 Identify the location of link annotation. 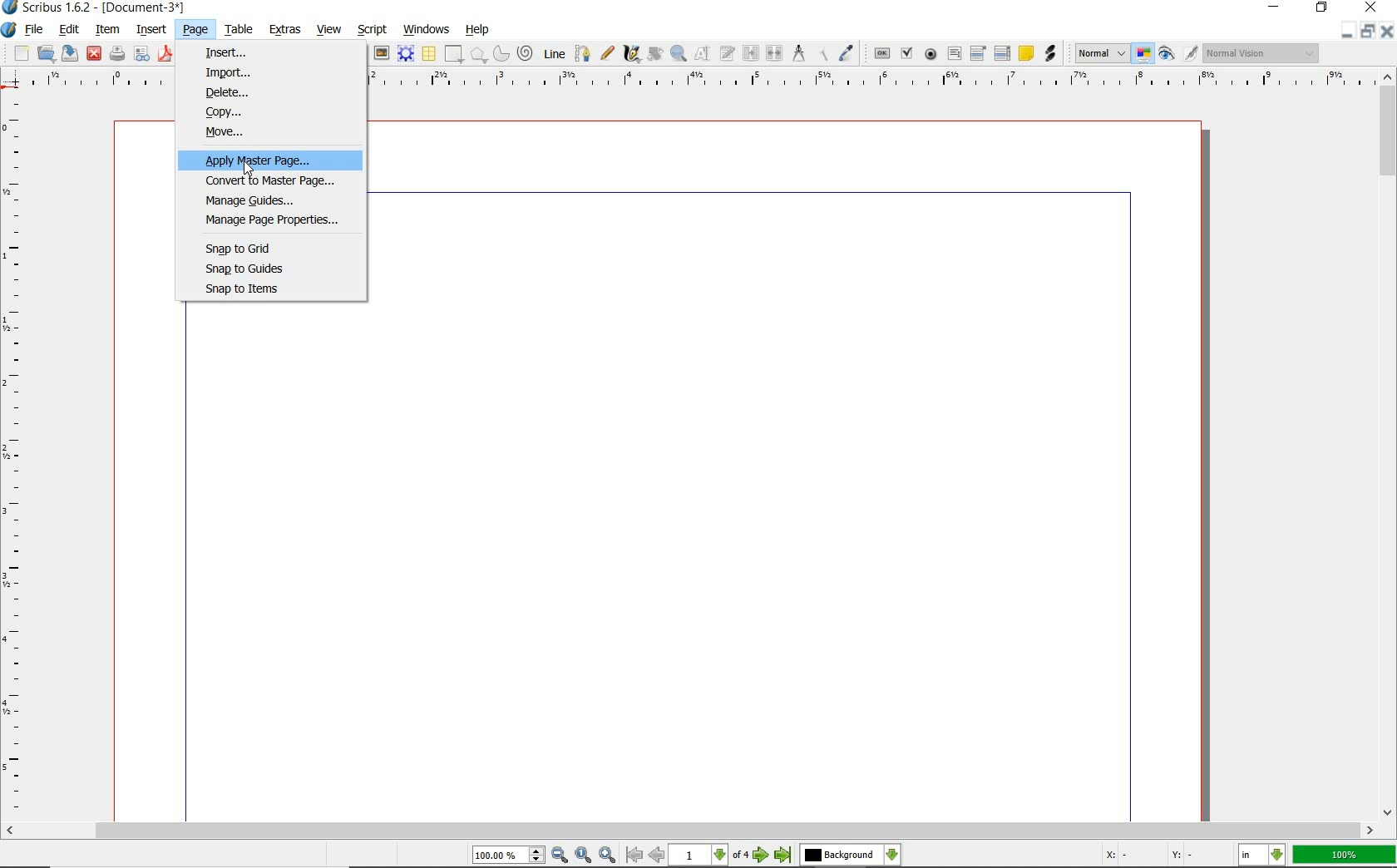
(1050, 53).